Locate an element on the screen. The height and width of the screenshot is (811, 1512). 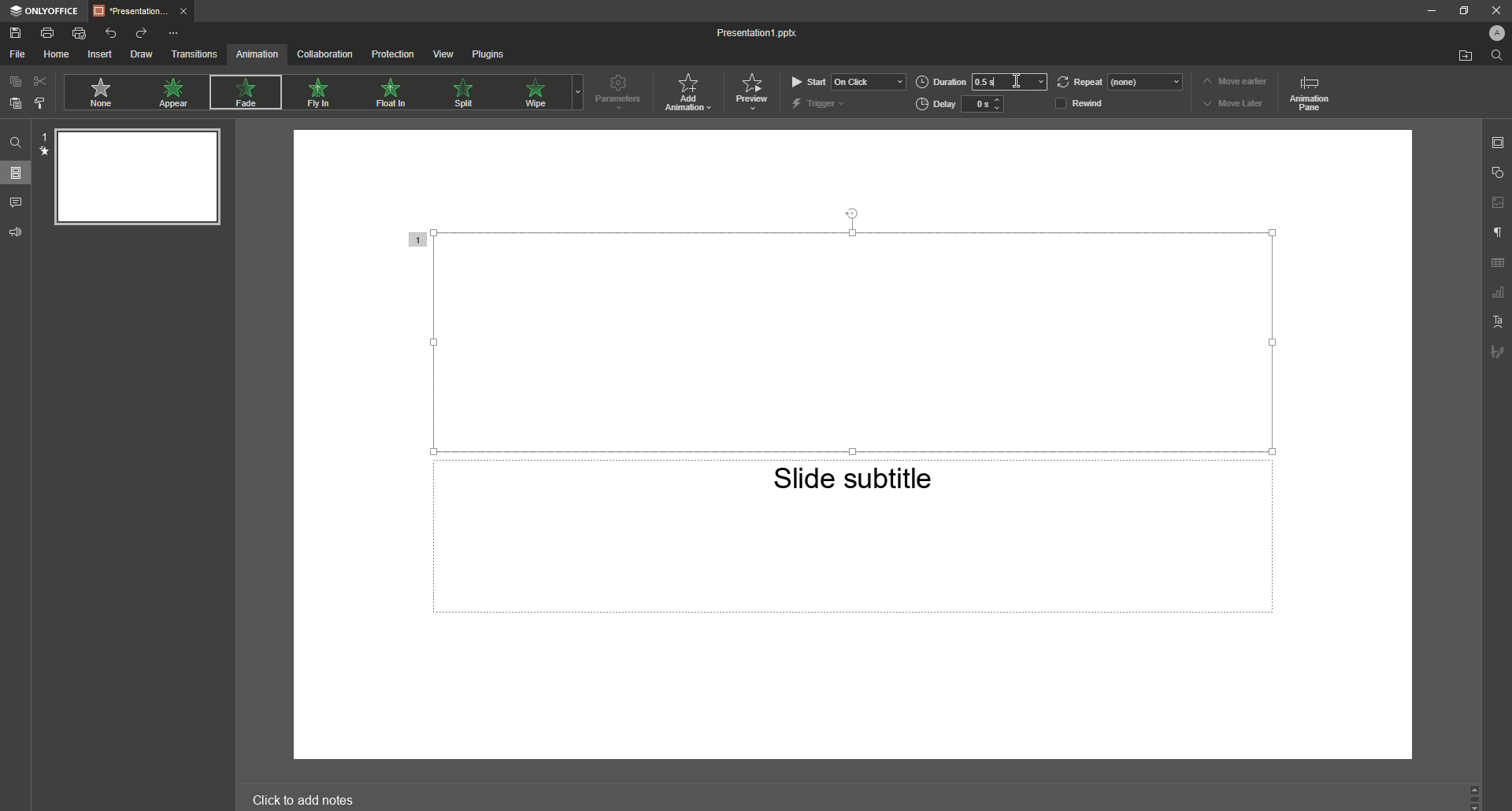
Profile is located at coordinates (1495, 33).